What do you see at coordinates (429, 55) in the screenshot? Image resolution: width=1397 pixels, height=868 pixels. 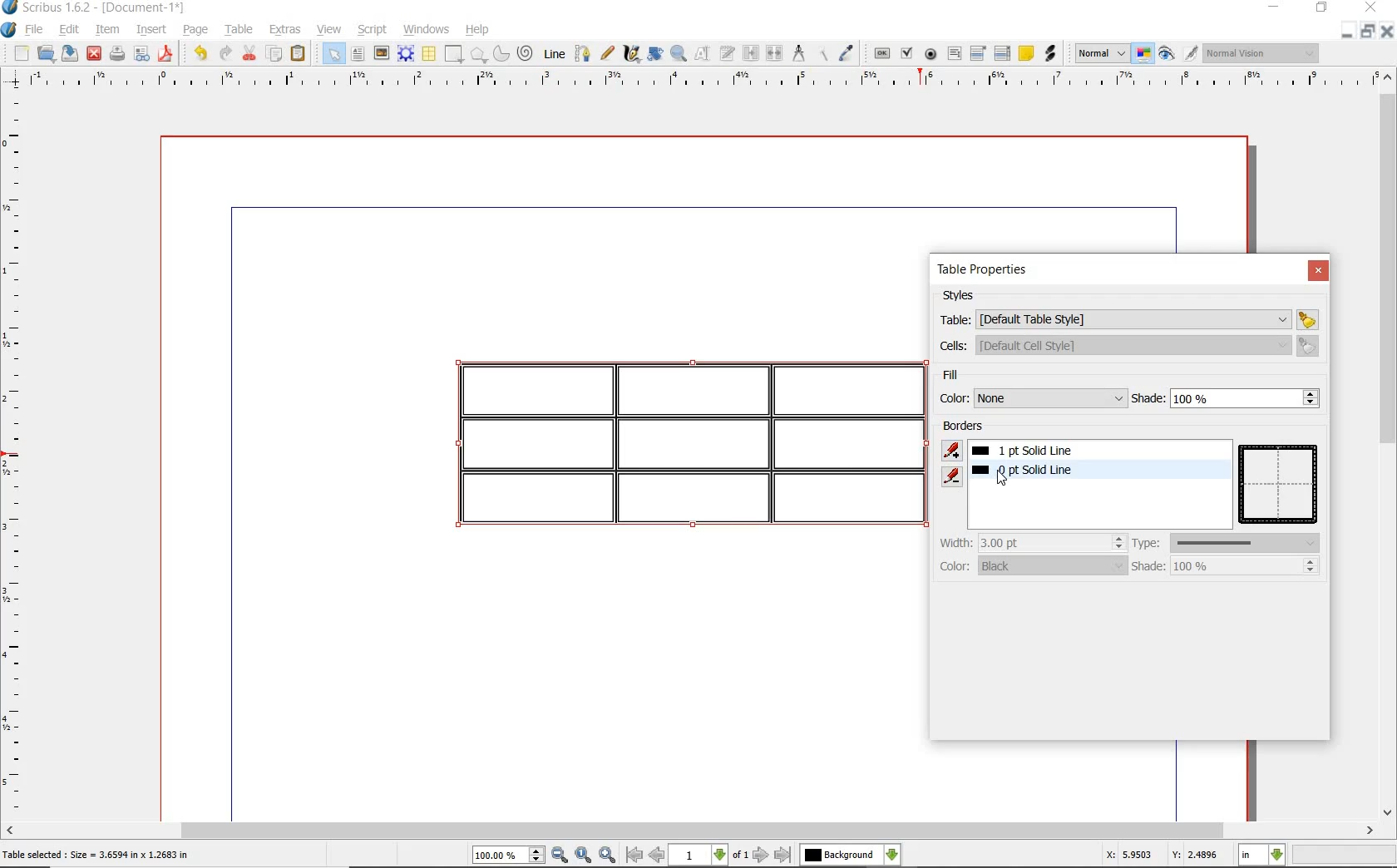 I see `table` at bounding box center [429, 55].